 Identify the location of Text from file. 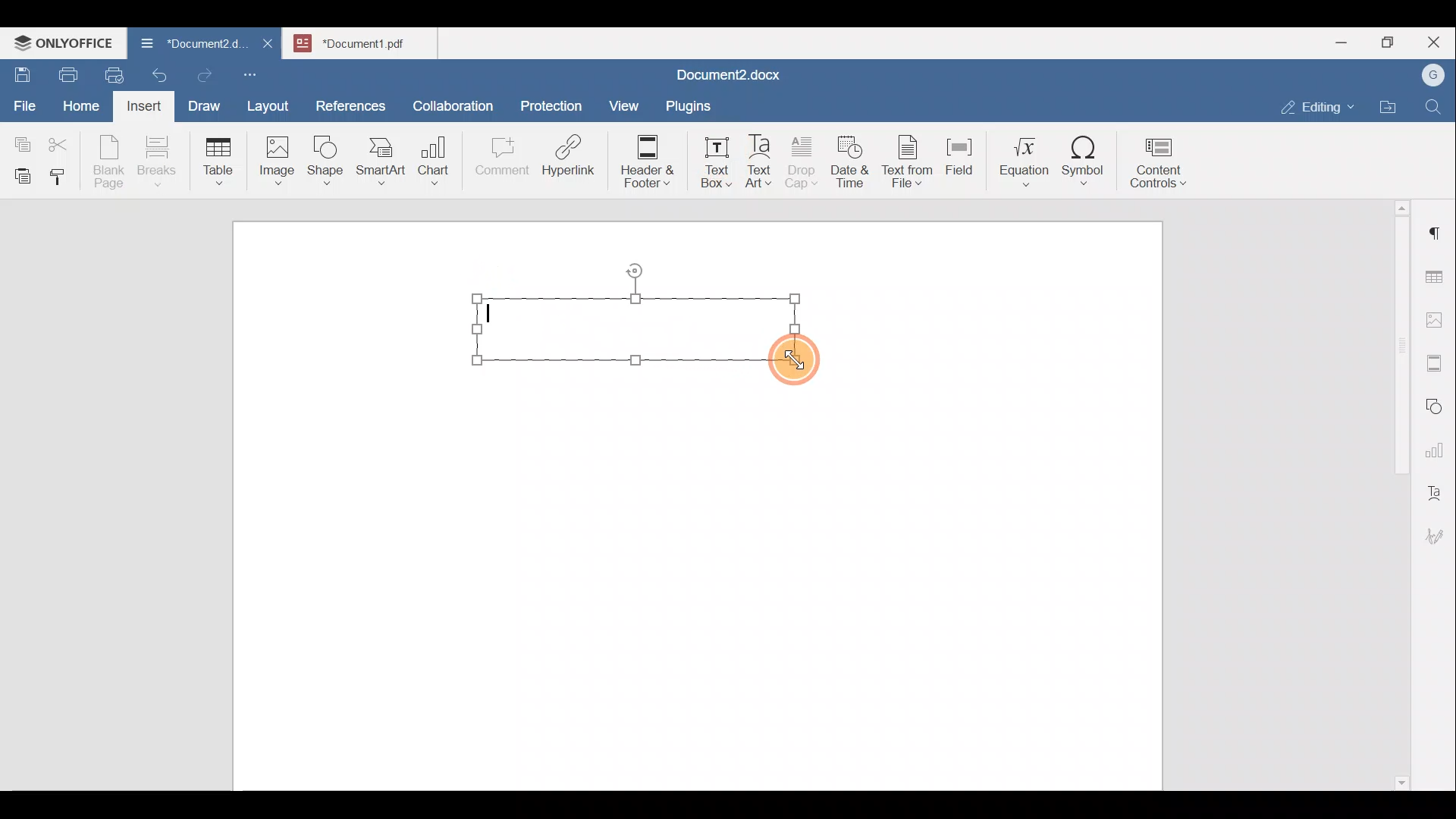
(910, 160).